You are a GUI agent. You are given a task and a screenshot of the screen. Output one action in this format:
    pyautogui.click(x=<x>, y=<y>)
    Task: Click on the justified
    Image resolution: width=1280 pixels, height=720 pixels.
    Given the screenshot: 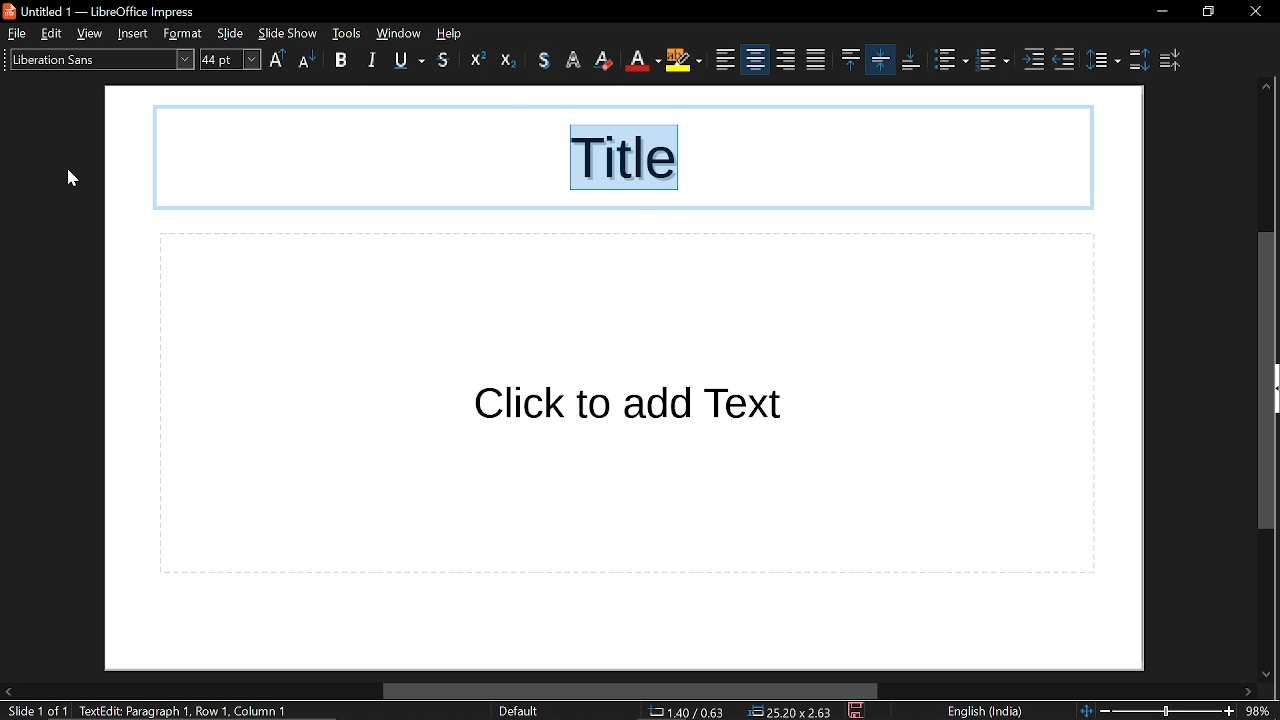 What is the action you would take?
    pyautogui.click(x=786, y=60)
    